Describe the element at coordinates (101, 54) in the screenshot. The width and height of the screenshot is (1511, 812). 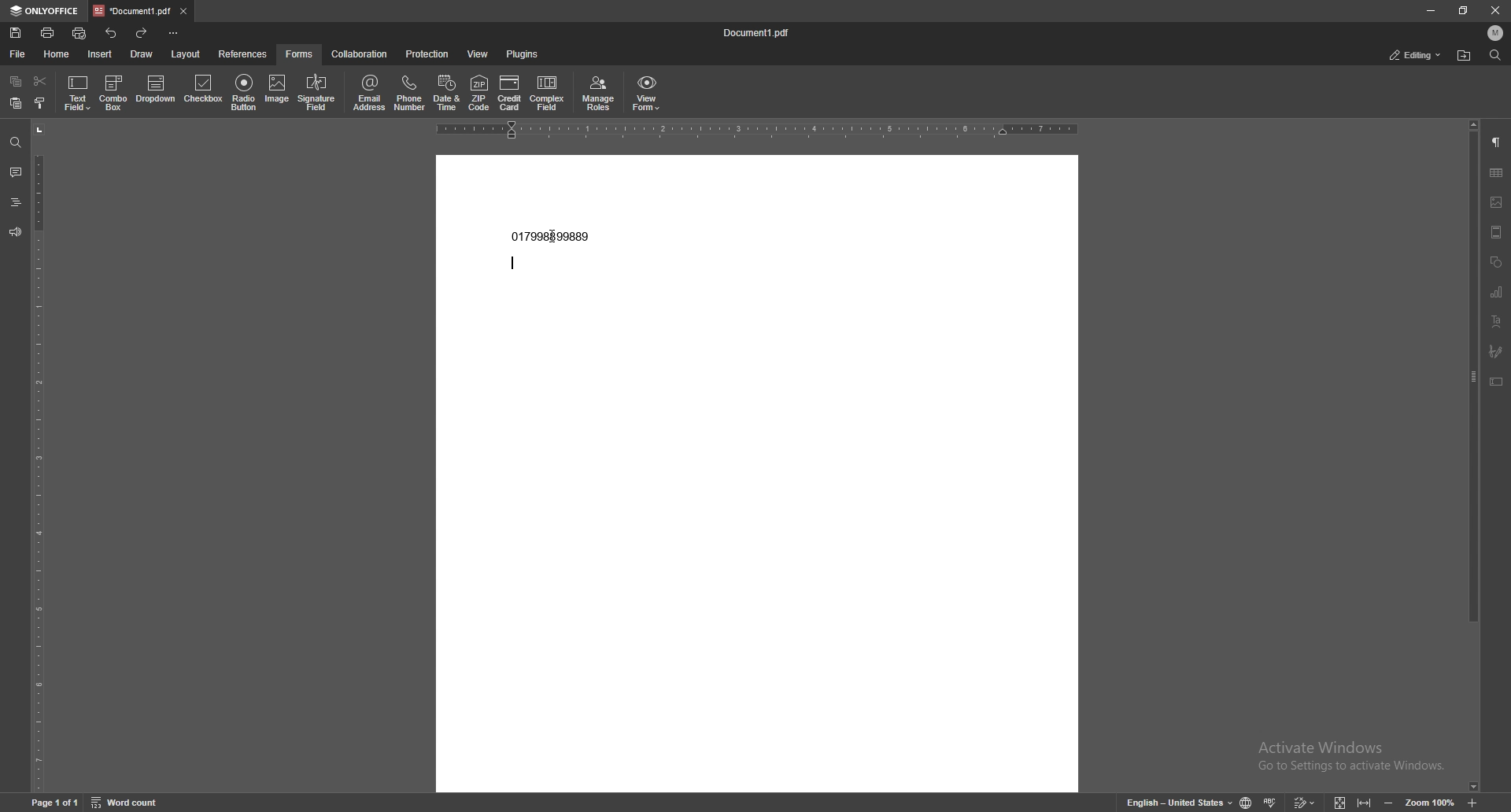
I see `insert` at that location.